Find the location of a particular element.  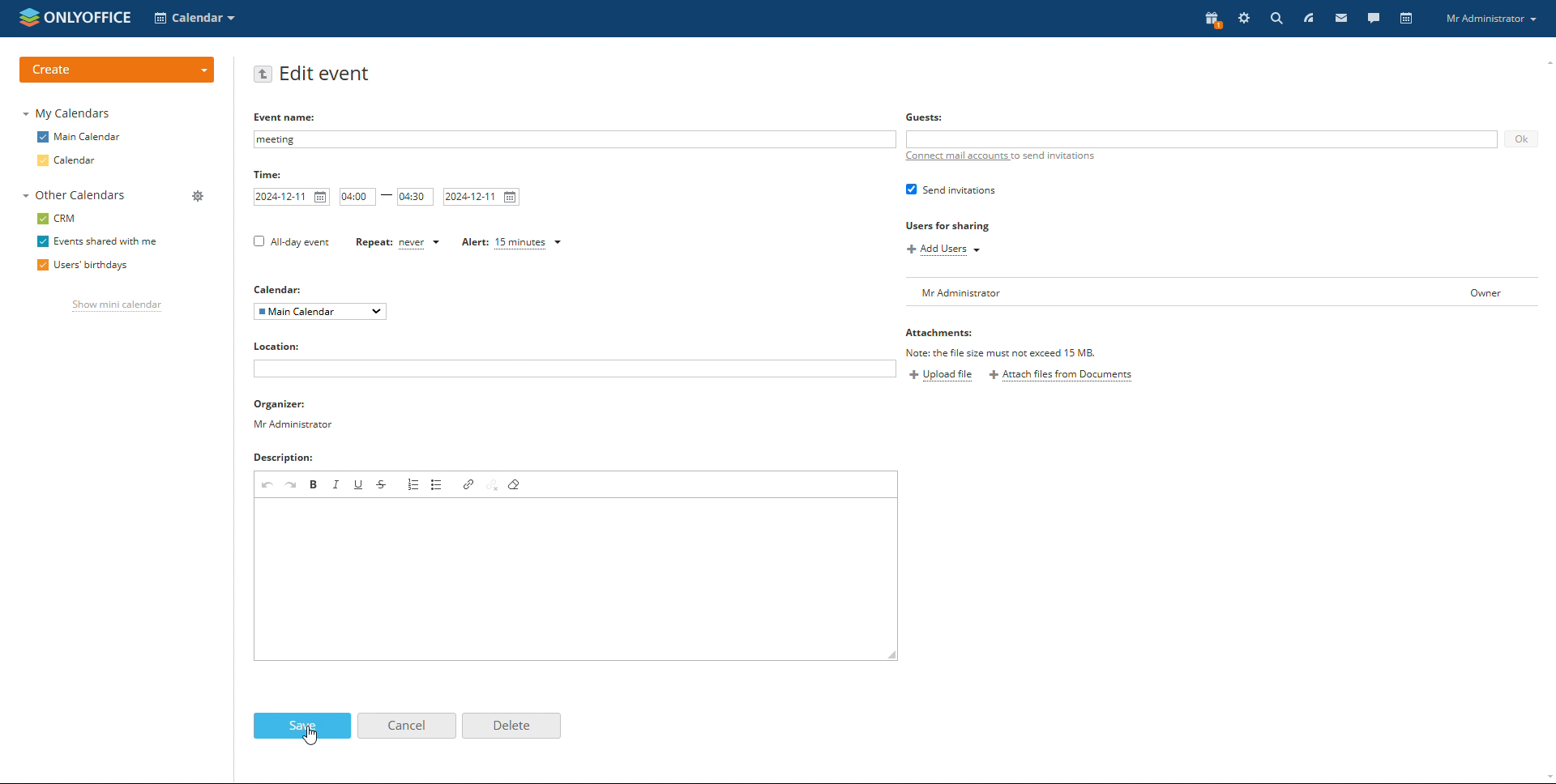

my calendars is located at coordinates (68, 114).